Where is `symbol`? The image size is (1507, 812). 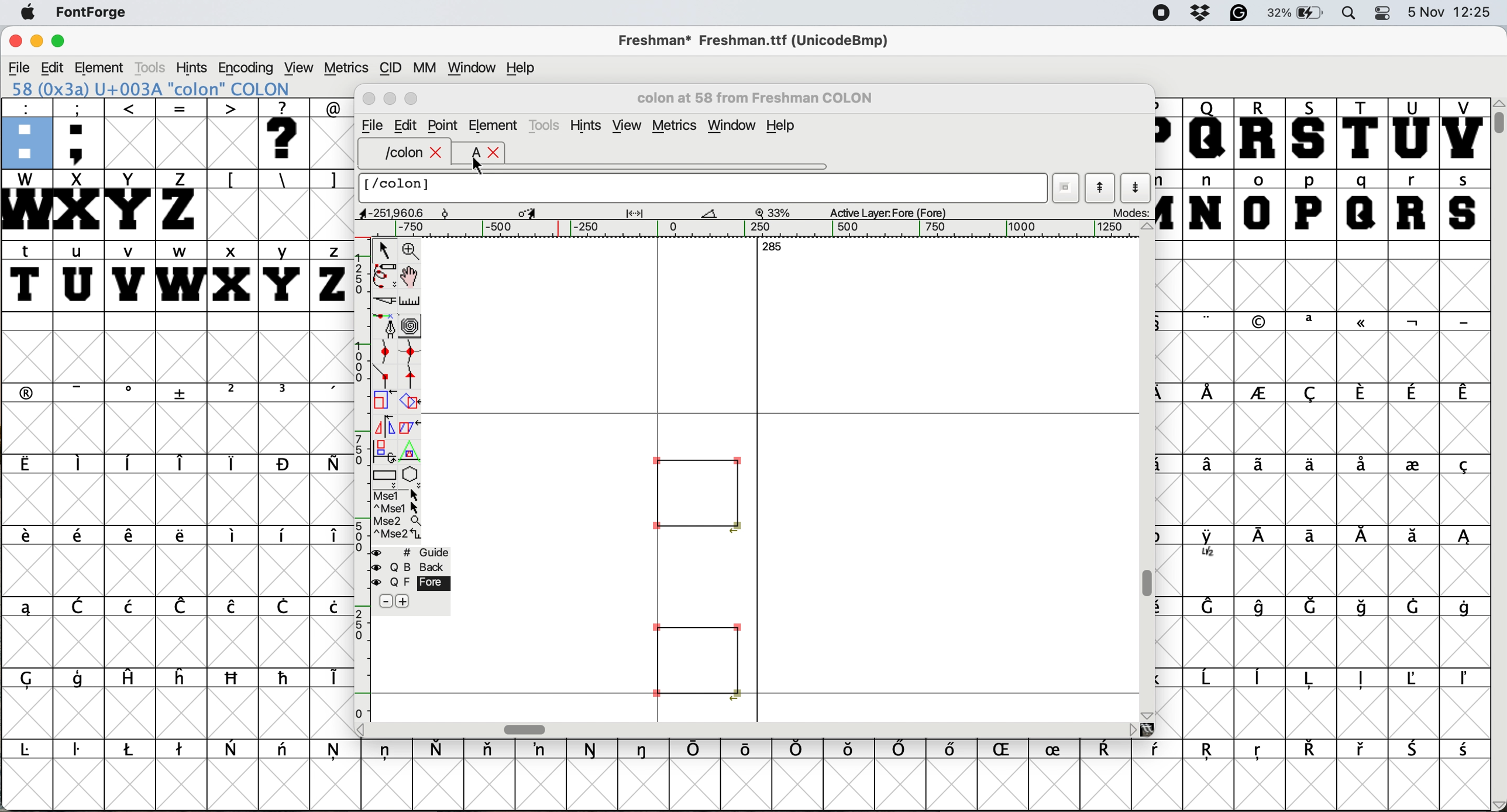
symbol is located at coordinates (285, 677).